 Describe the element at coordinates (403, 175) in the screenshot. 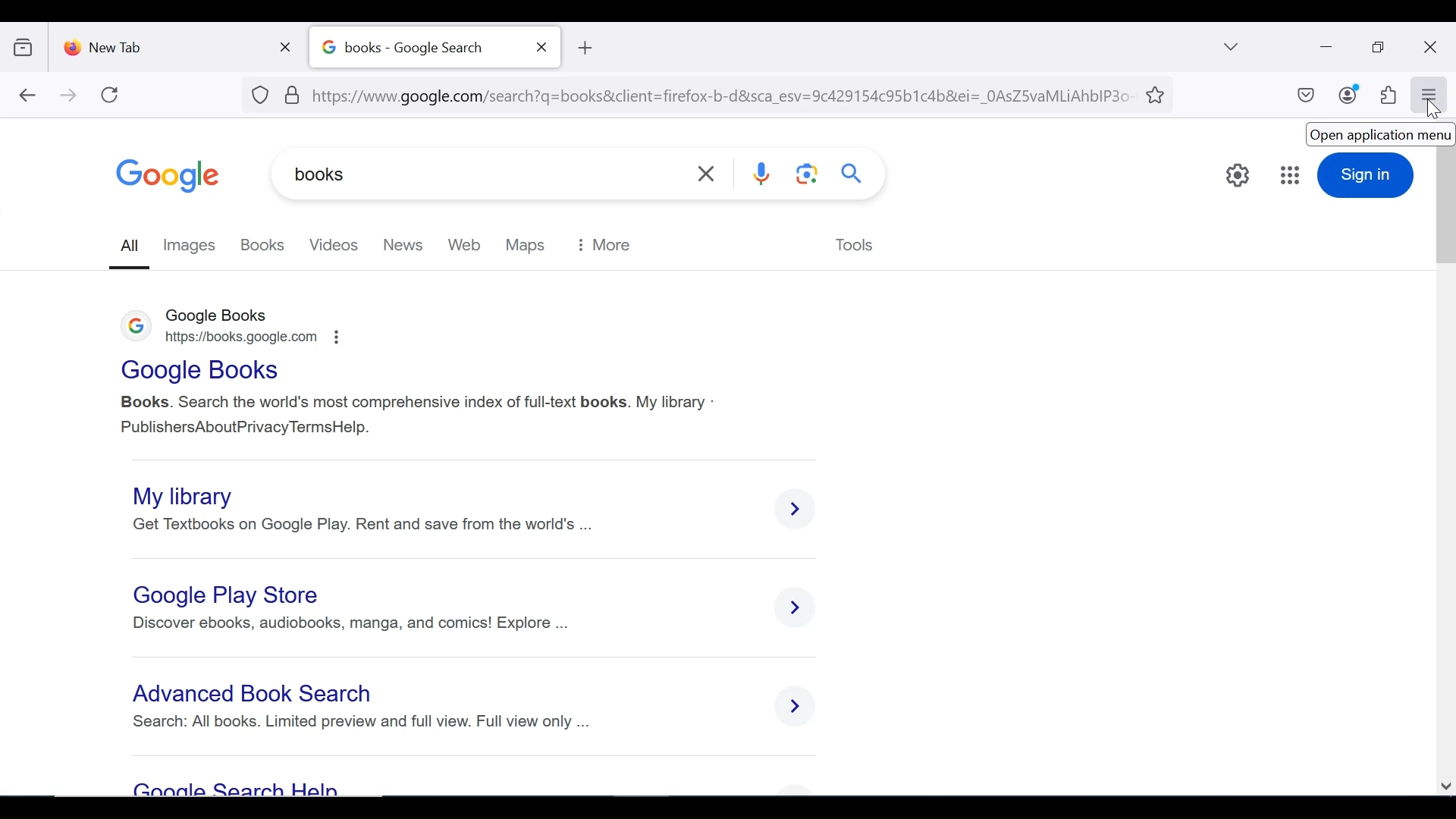

I see `books` at that location.